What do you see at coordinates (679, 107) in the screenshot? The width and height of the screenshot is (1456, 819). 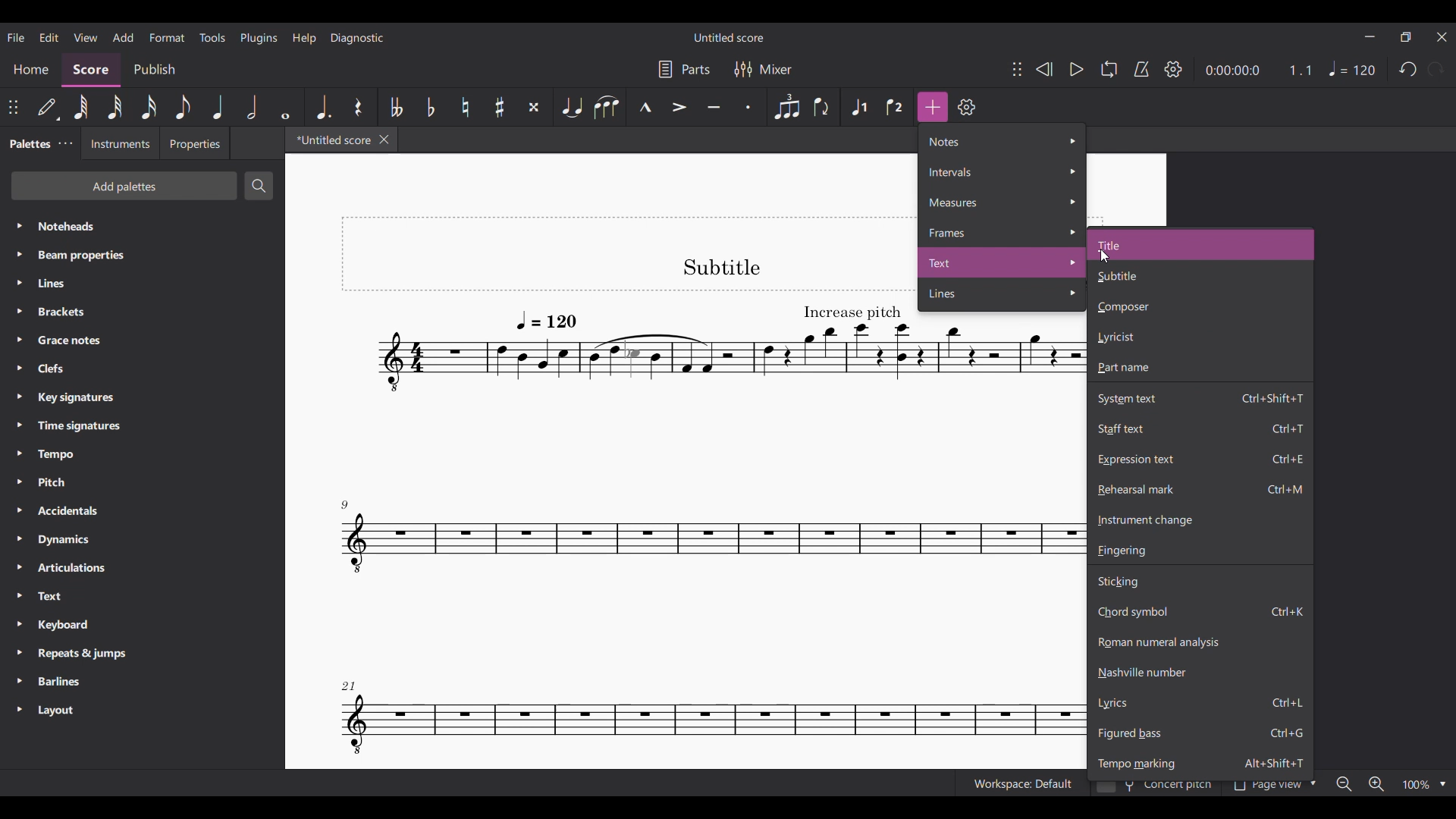 I see `Accent` at bounding box center [679, 107].